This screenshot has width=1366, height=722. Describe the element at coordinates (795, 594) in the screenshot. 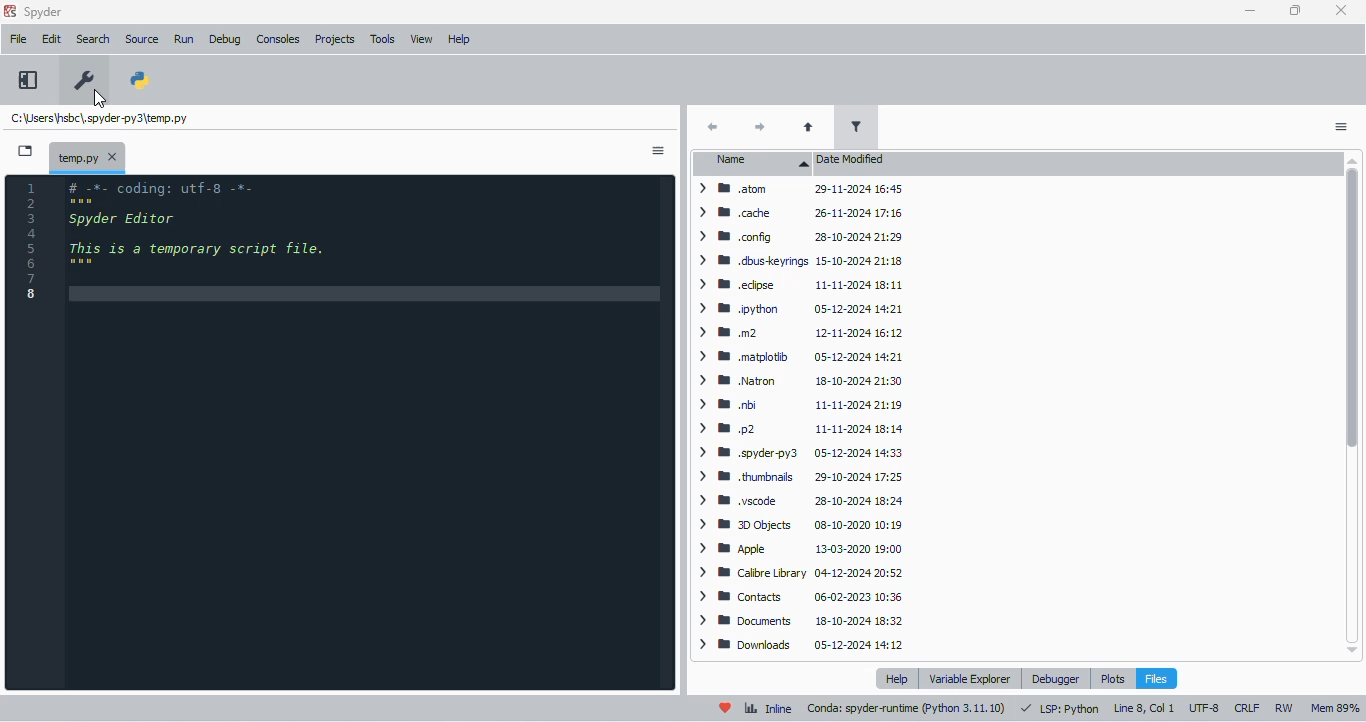

I see `| > ® Contacts 06-02-2023 10:36` at that location.